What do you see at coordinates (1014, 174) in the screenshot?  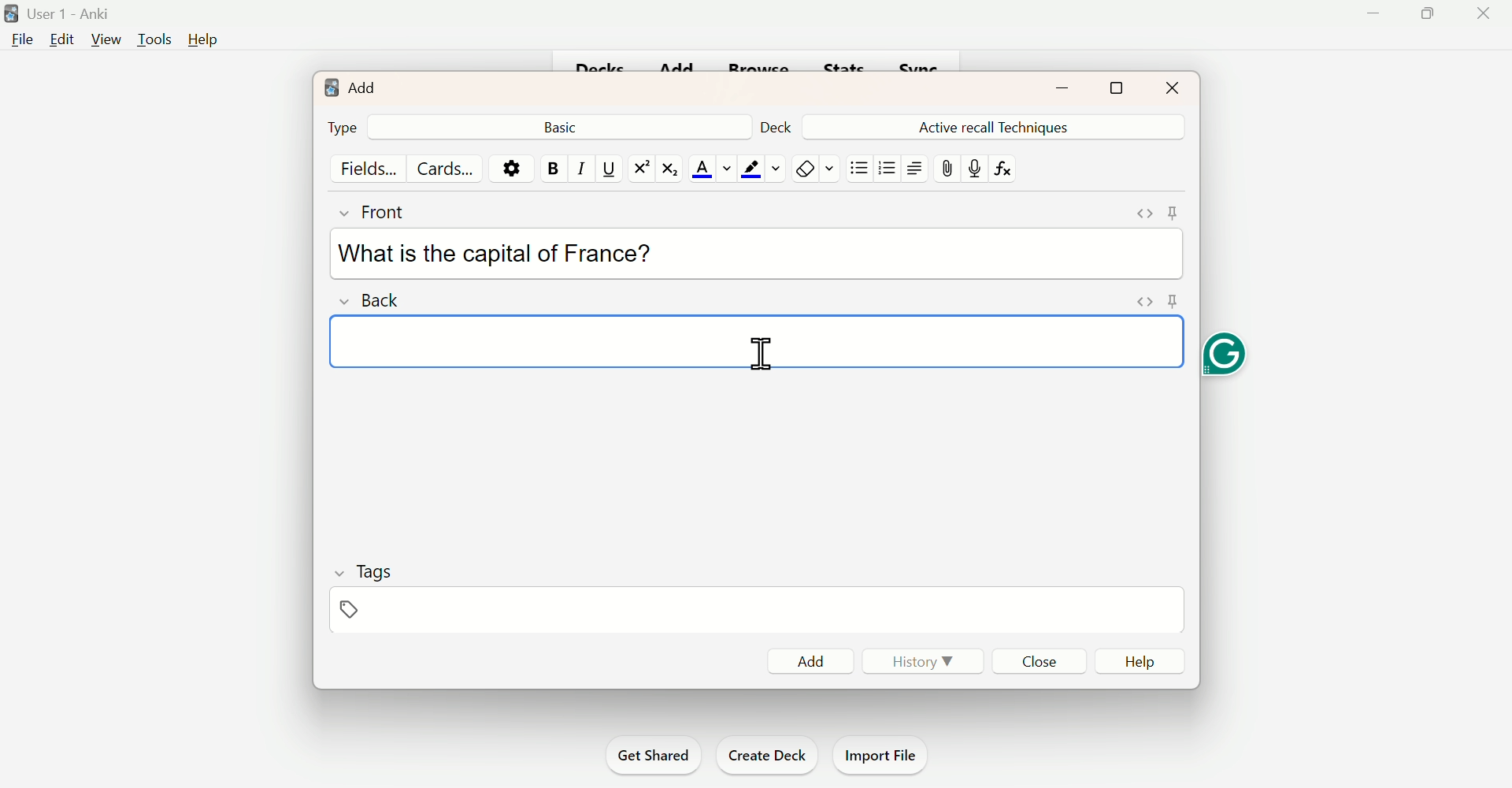 I see `fx` at bounding box center [1014, 174].